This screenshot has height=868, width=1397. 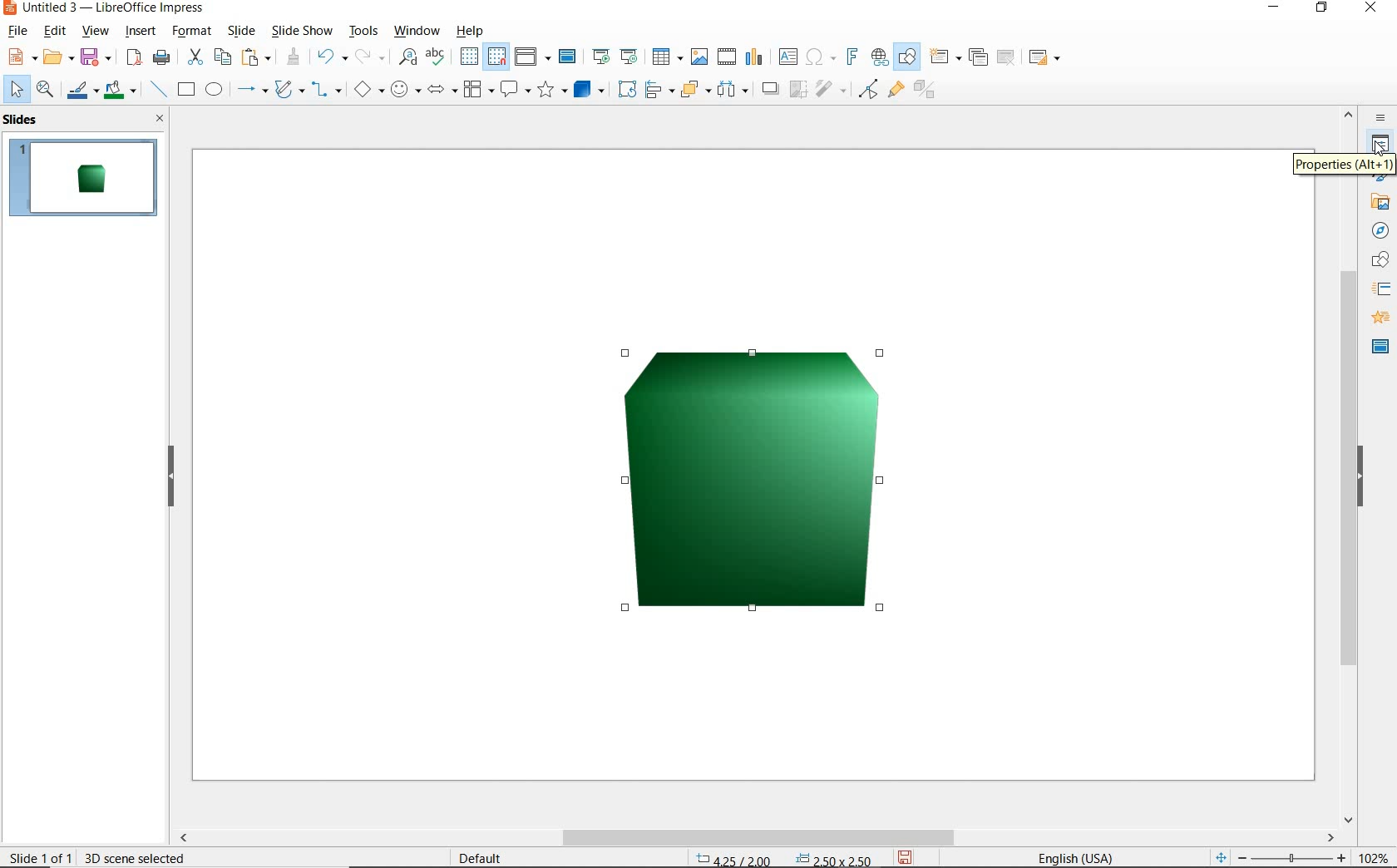 I want to click on insert audio or video, so click(x=726, y=55).